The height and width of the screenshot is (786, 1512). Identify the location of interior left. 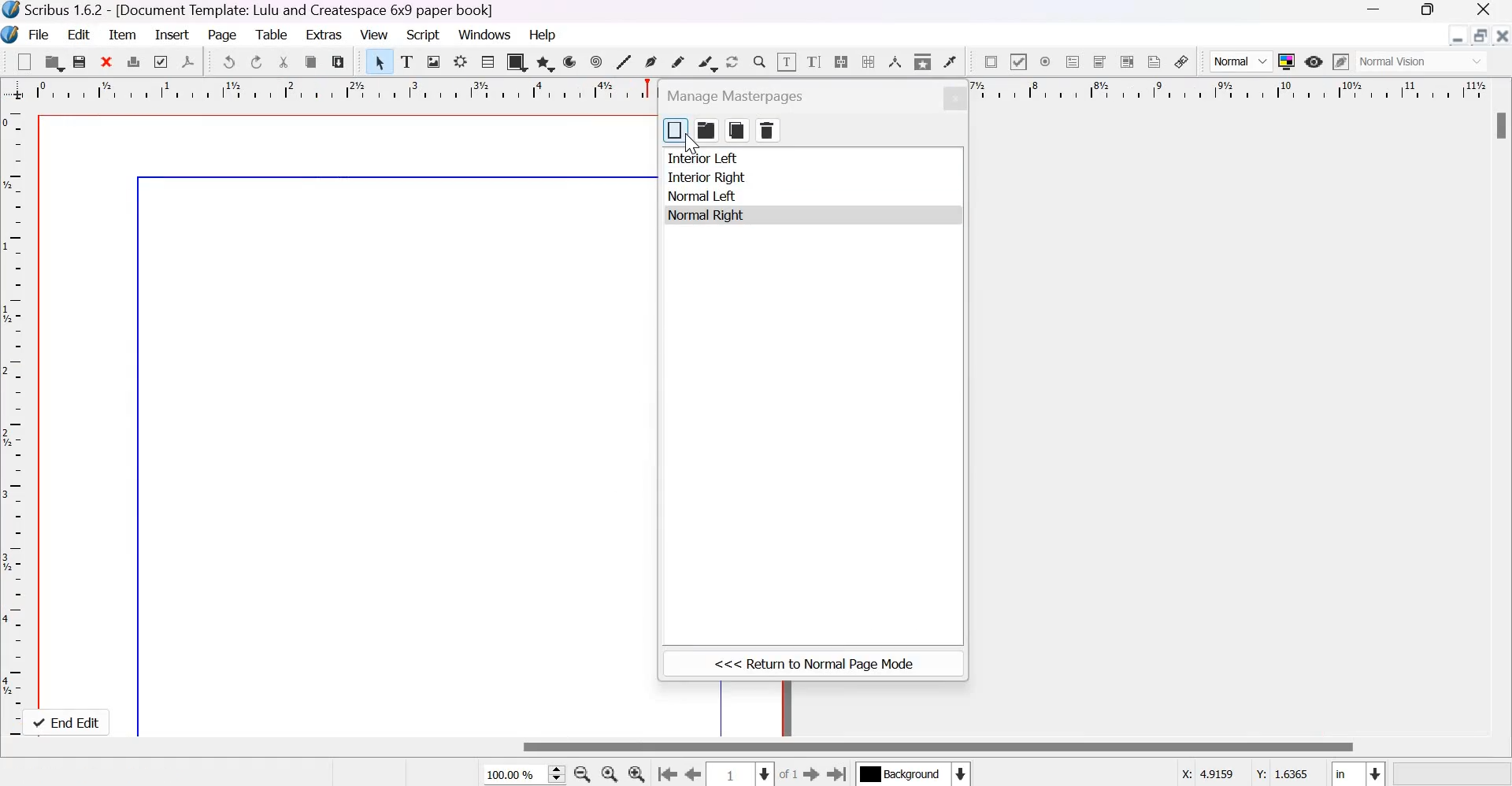
(705, 159).